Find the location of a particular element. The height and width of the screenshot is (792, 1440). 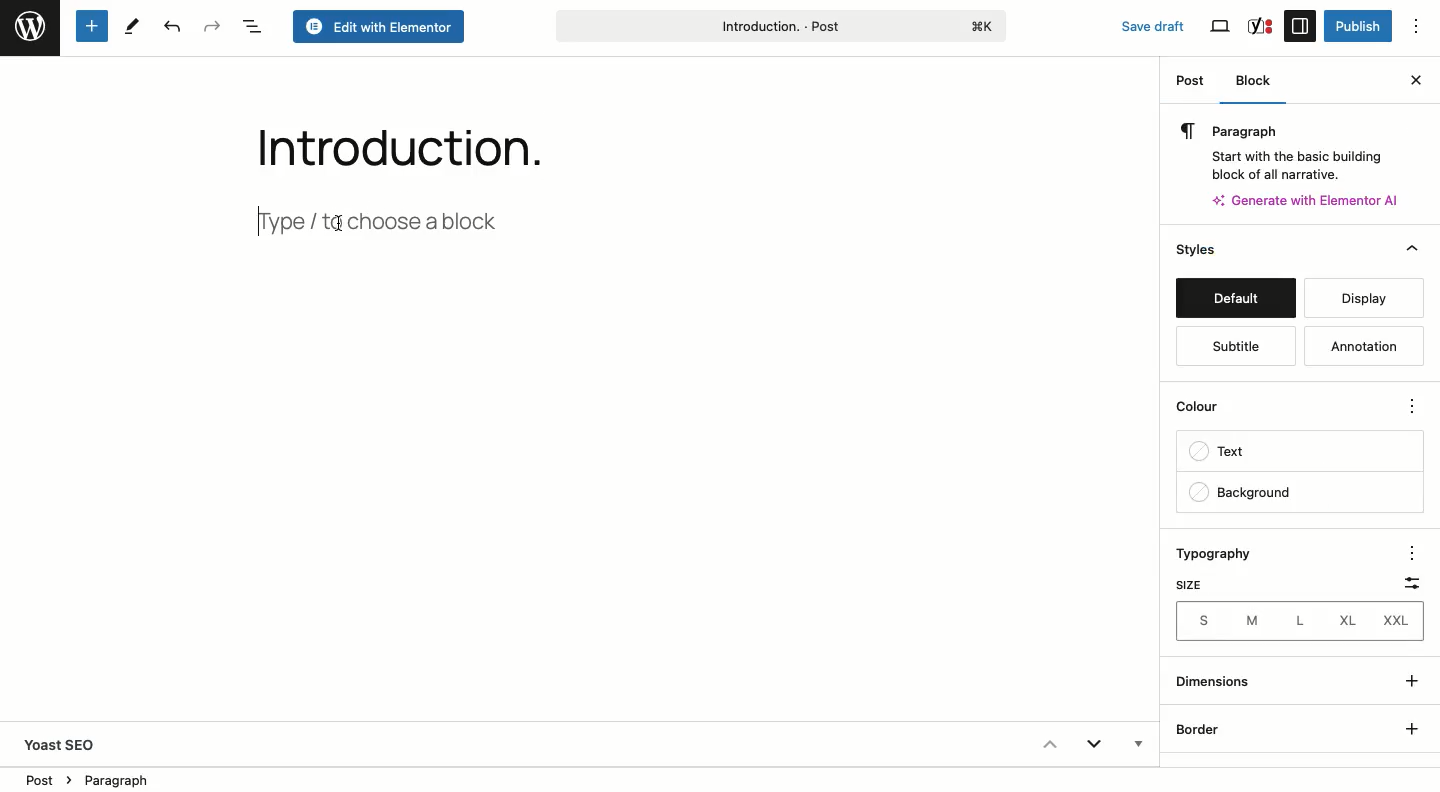

Border is located at coordinates (1201, 730).